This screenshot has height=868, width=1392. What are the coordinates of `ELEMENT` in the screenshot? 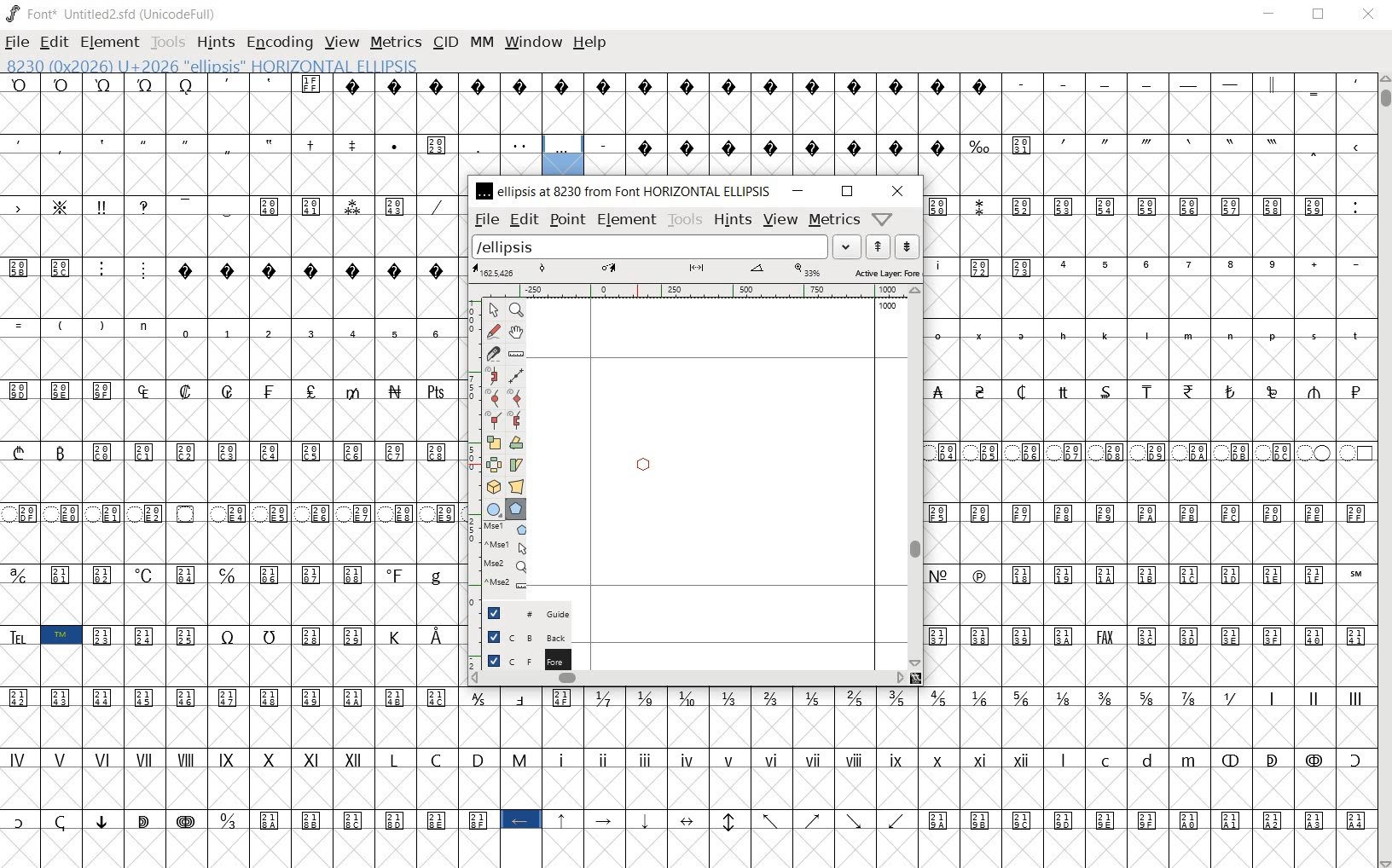 It's located at (112, 42).